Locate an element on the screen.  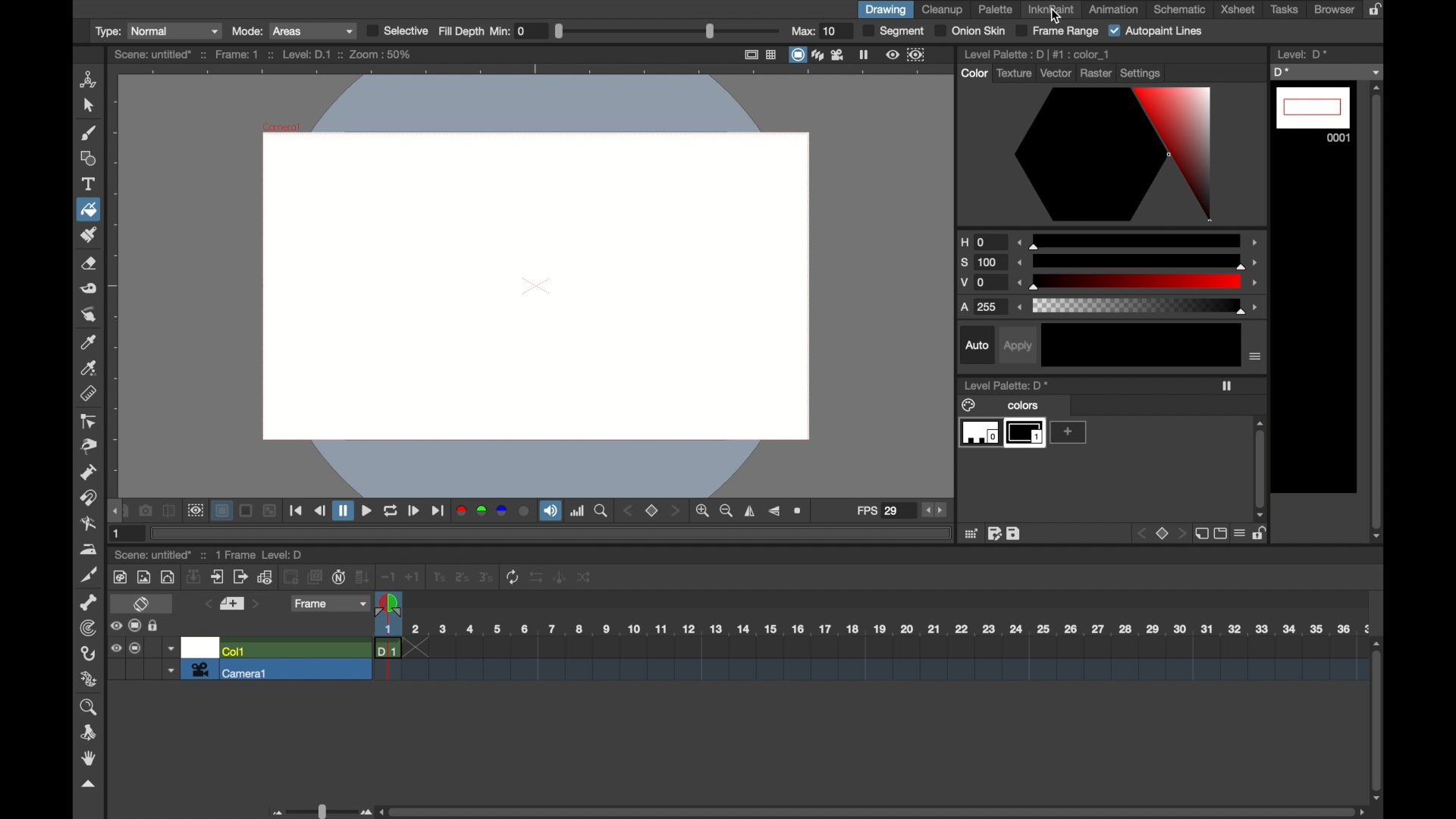
magnet tool is located at coordinates (86, 497).